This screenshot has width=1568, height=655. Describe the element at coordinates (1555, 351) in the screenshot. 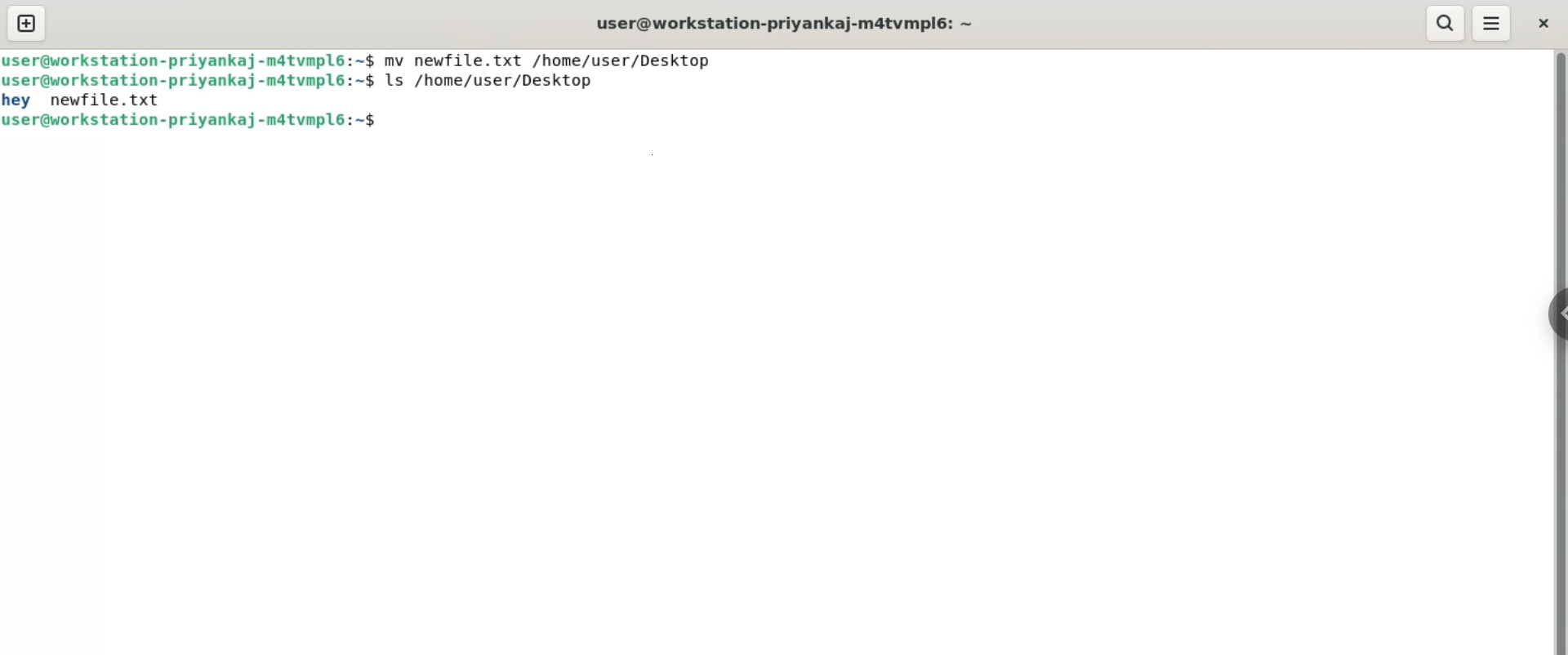

I see `vertical scroll bar` at that location.